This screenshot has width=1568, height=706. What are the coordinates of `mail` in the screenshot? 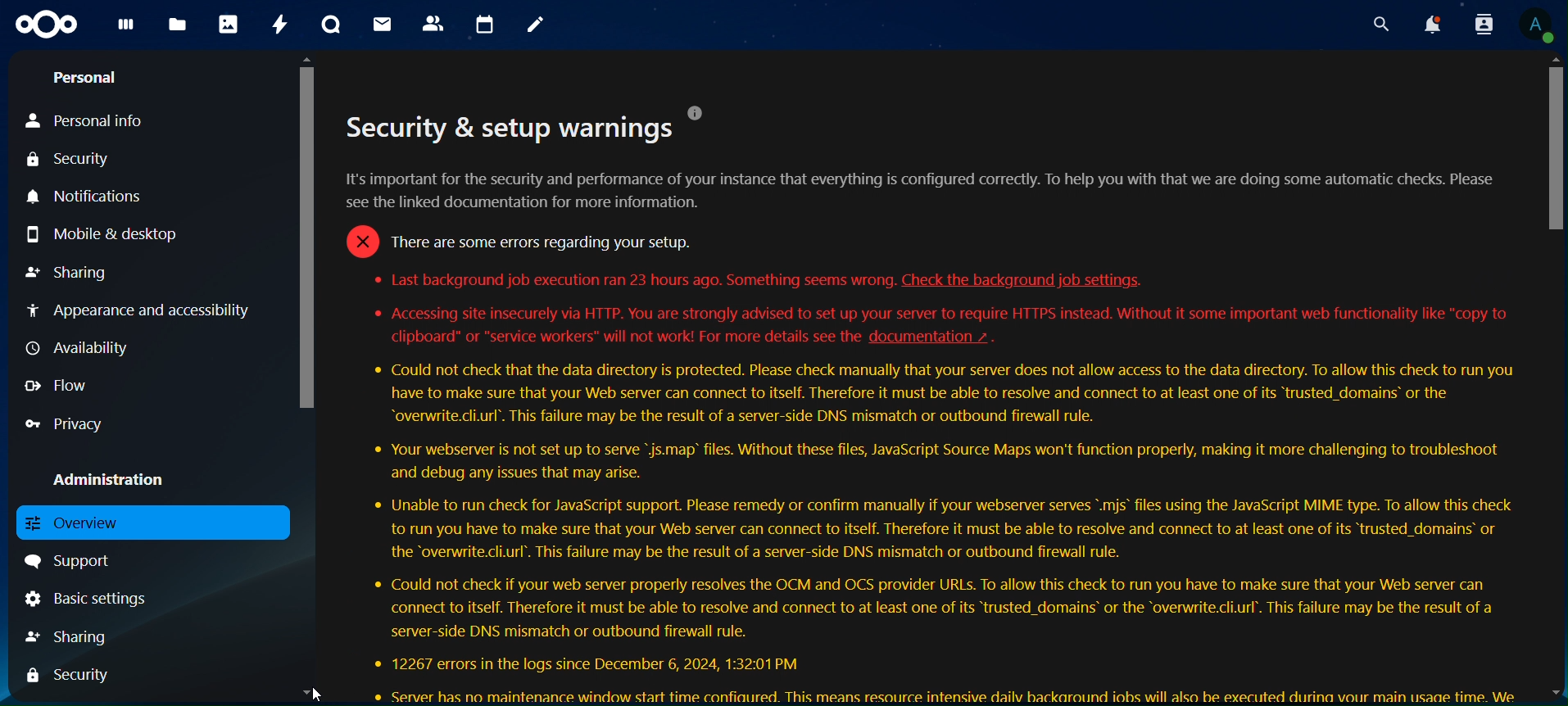 It's located at (383, 25).